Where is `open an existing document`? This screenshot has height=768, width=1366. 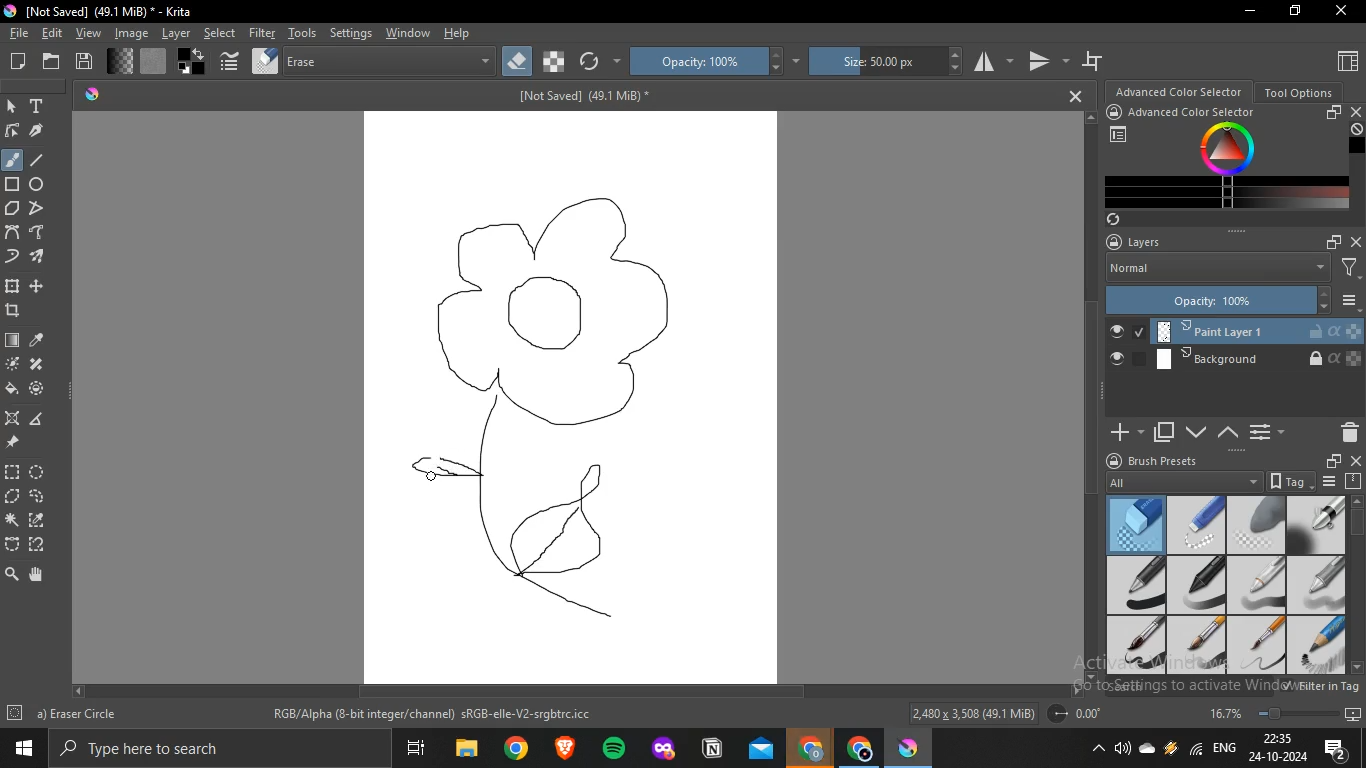 open an existing document is located at coordinates (54, 61).